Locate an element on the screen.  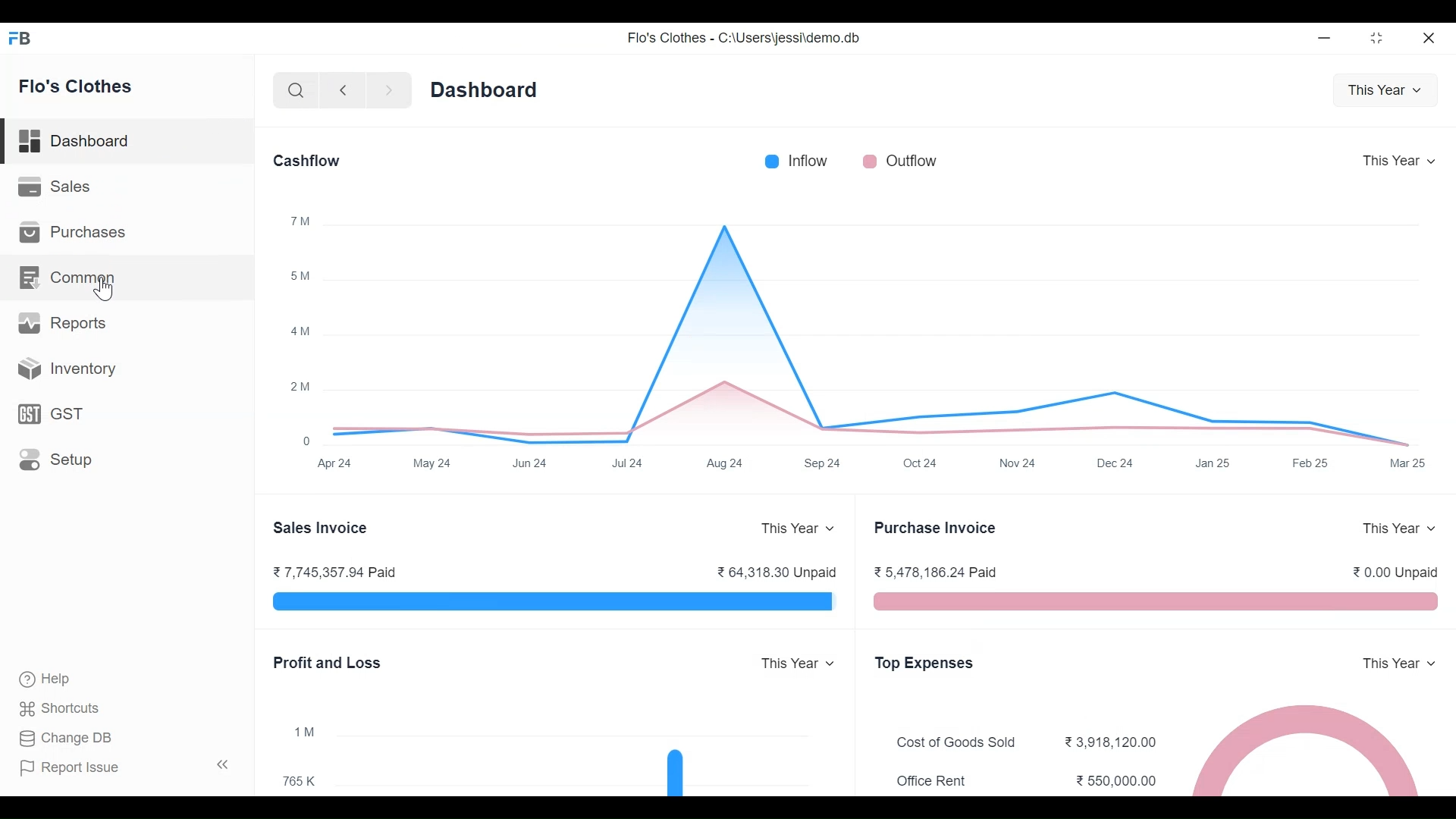
Aug 24 is located at coordinates (724, 463).